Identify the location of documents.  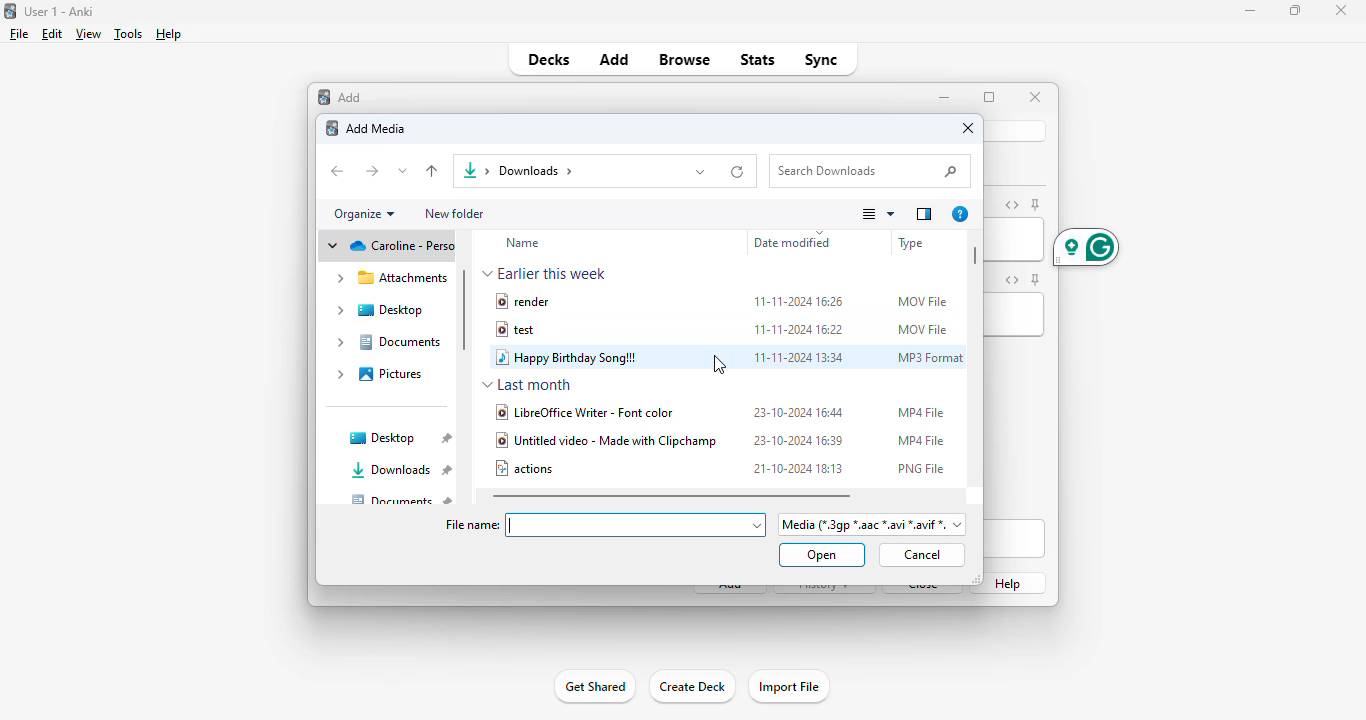
(390, 343).